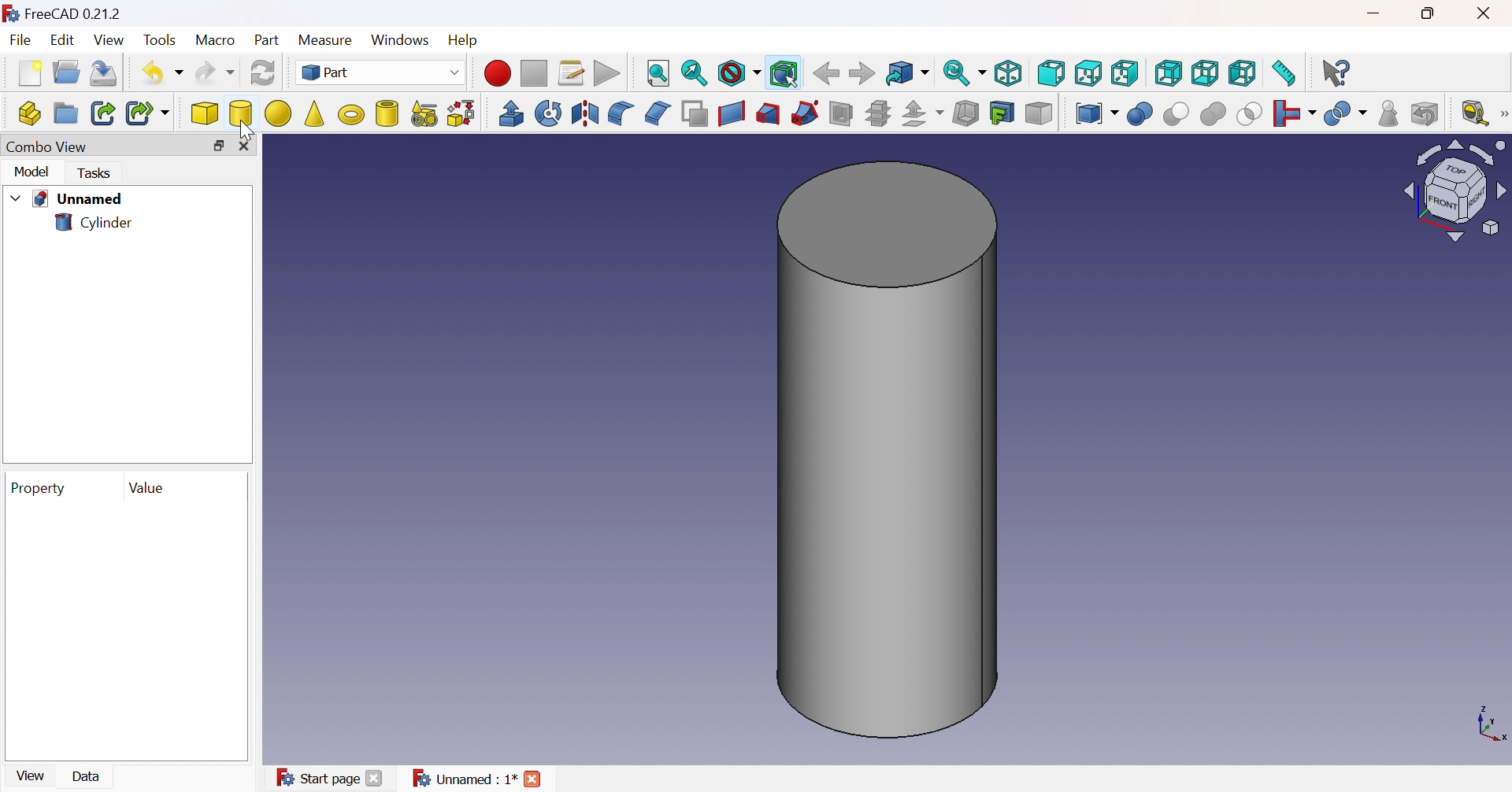  What do you see at coordinates (478, 779) in the screenshot?
I see `Unnamed : 1*` at bounding box center [478, 779].